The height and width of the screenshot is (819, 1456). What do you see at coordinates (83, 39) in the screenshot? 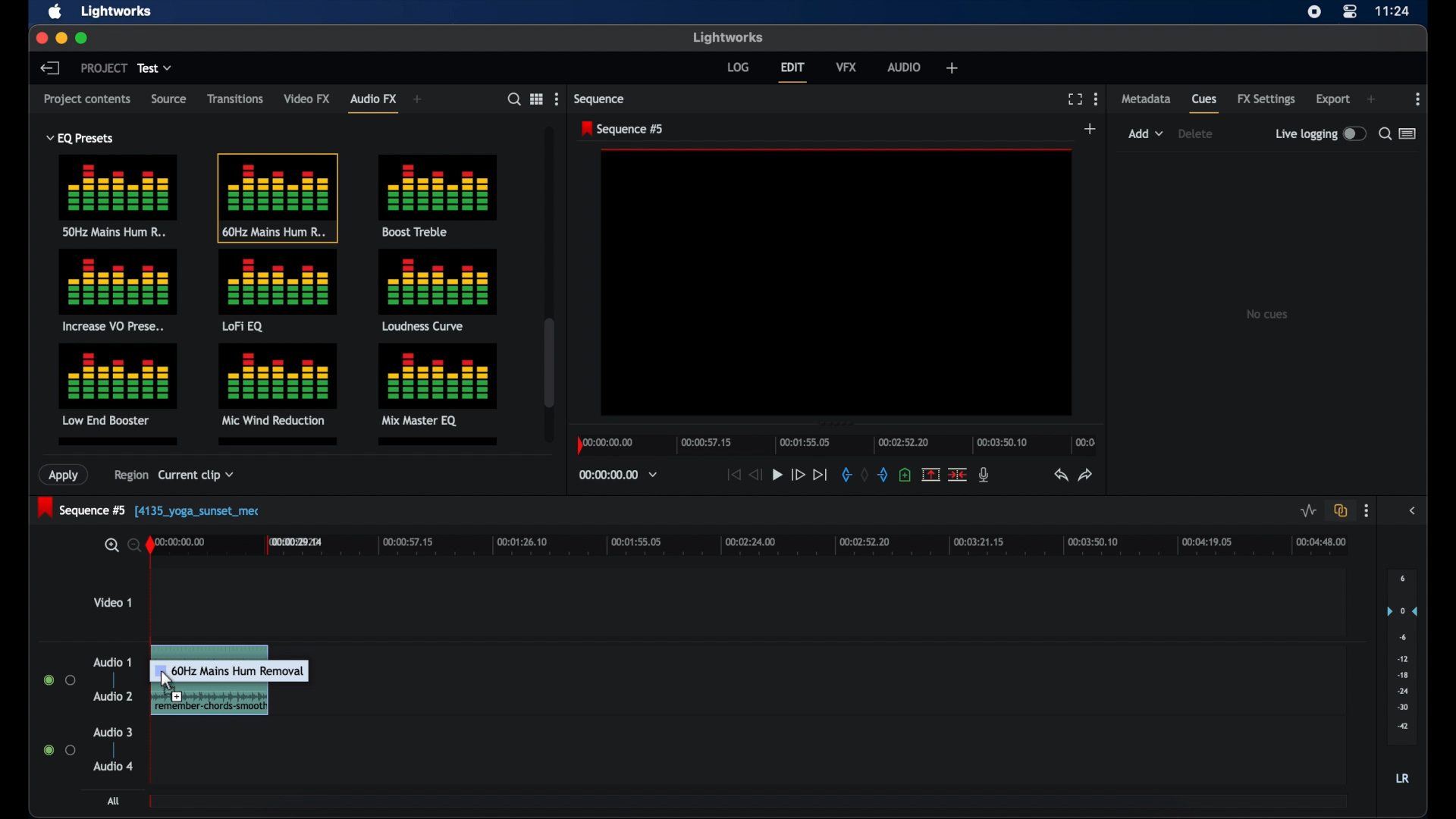
I see `maximize` at bounding box center [83, 39].